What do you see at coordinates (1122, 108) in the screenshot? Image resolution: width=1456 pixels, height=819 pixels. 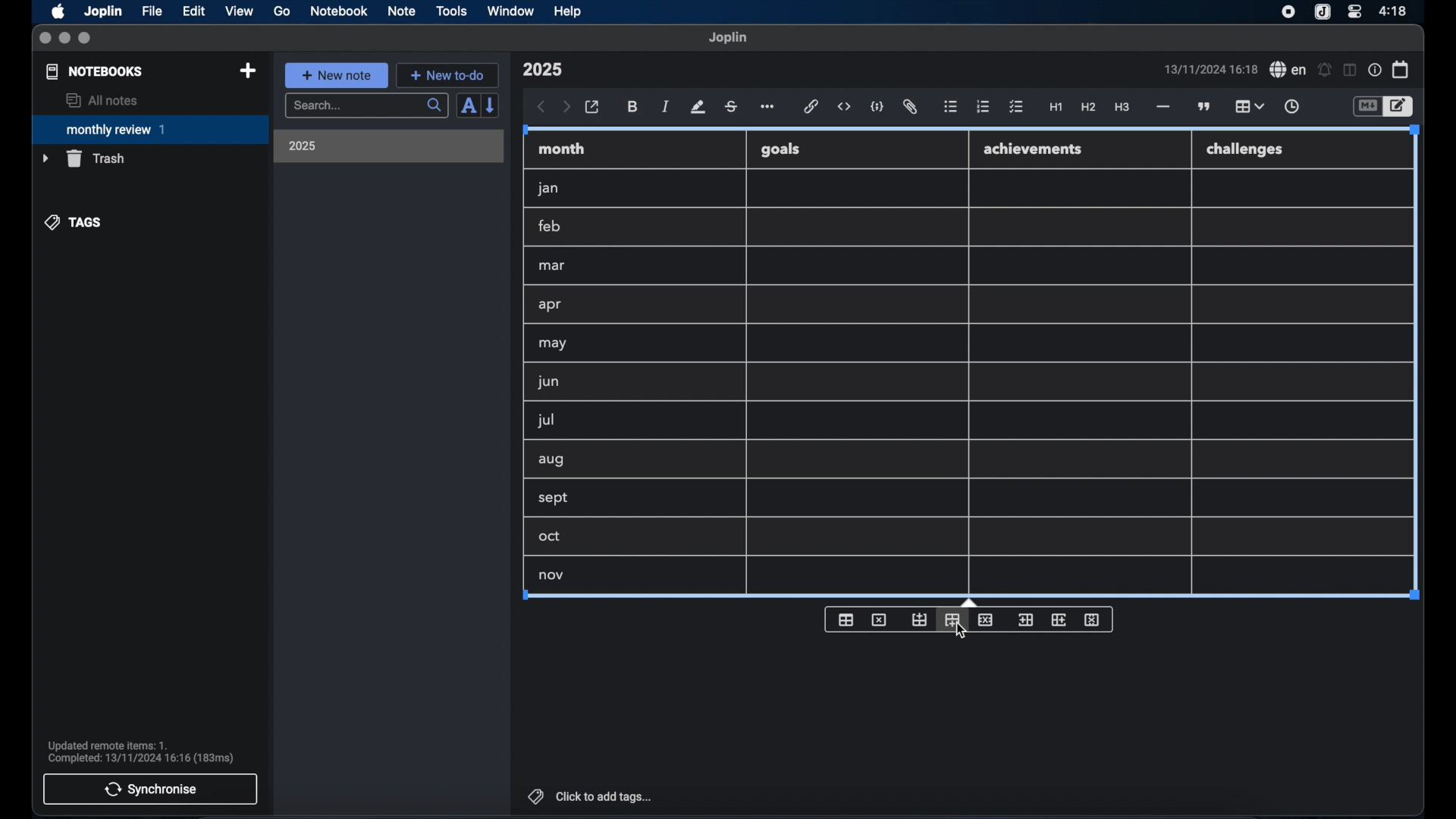 I see `heading 3` at bounding box center [1122, 108].